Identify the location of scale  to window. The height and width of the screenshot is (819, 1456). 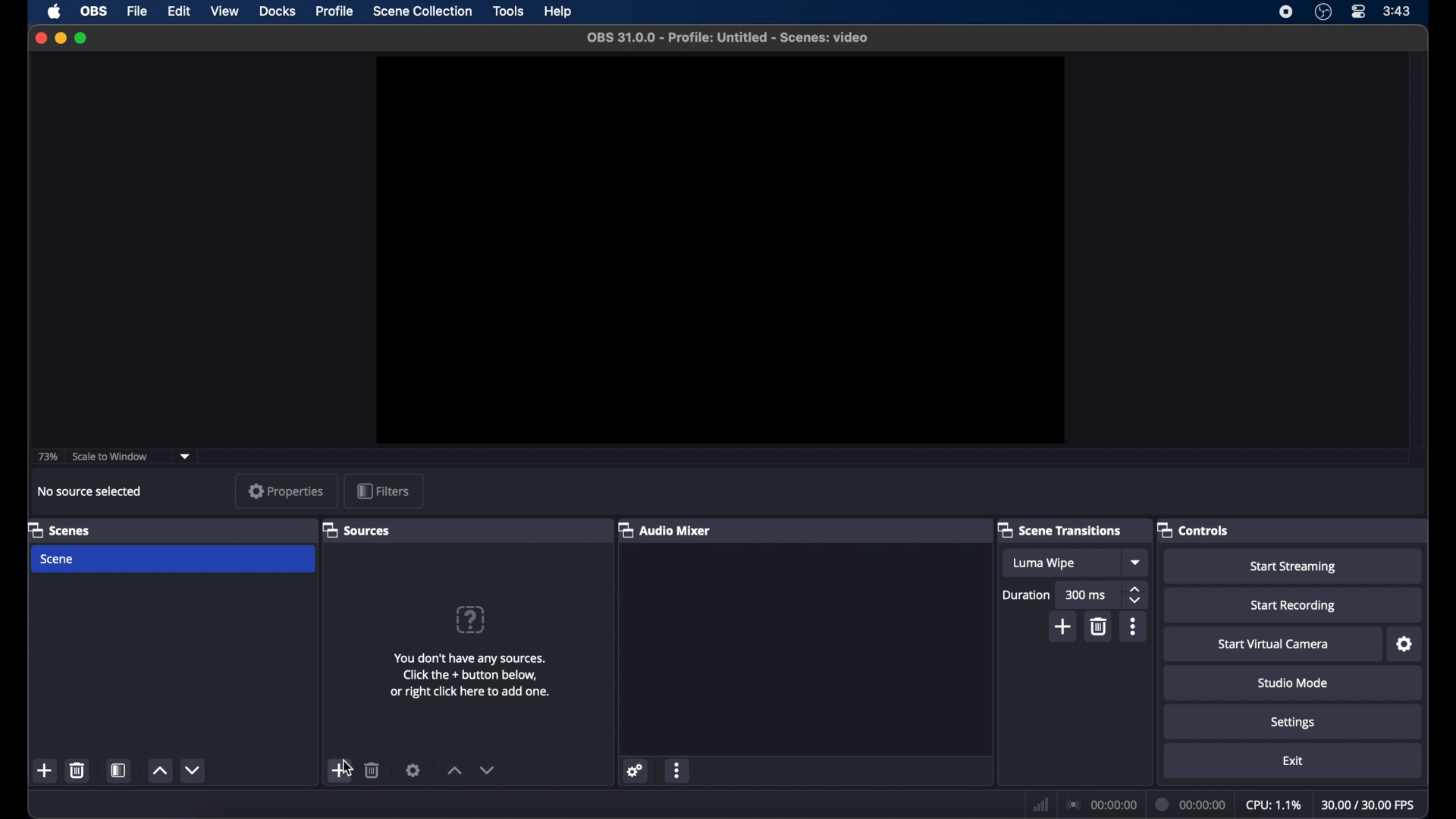
(110, 457).